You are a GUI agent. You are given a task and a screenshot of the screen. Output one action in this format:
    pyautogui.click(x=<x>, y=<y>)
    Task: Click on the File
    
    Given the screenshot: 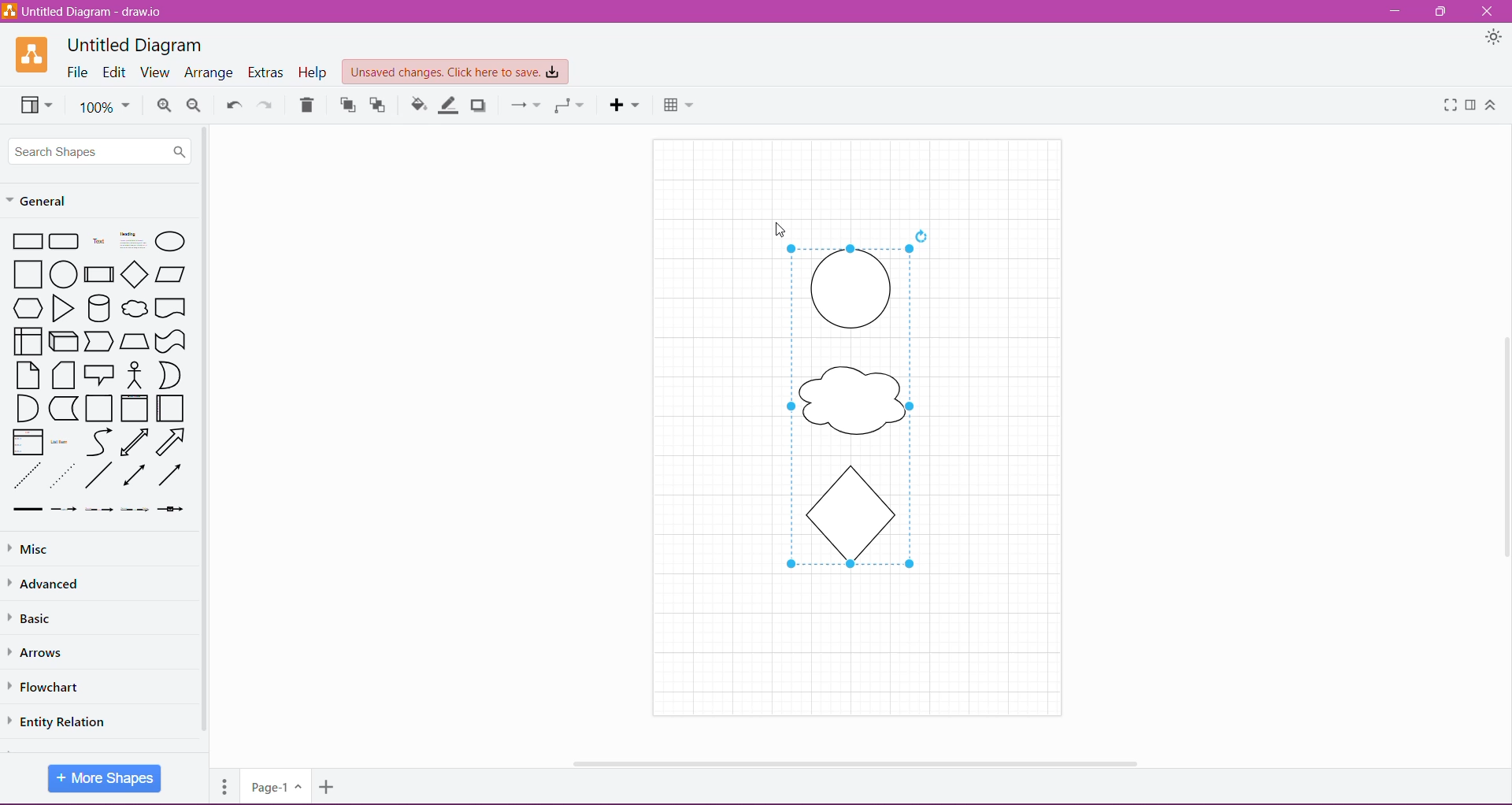 What is the action you would take?
    pyautogui.click(x=78, y=72)
    